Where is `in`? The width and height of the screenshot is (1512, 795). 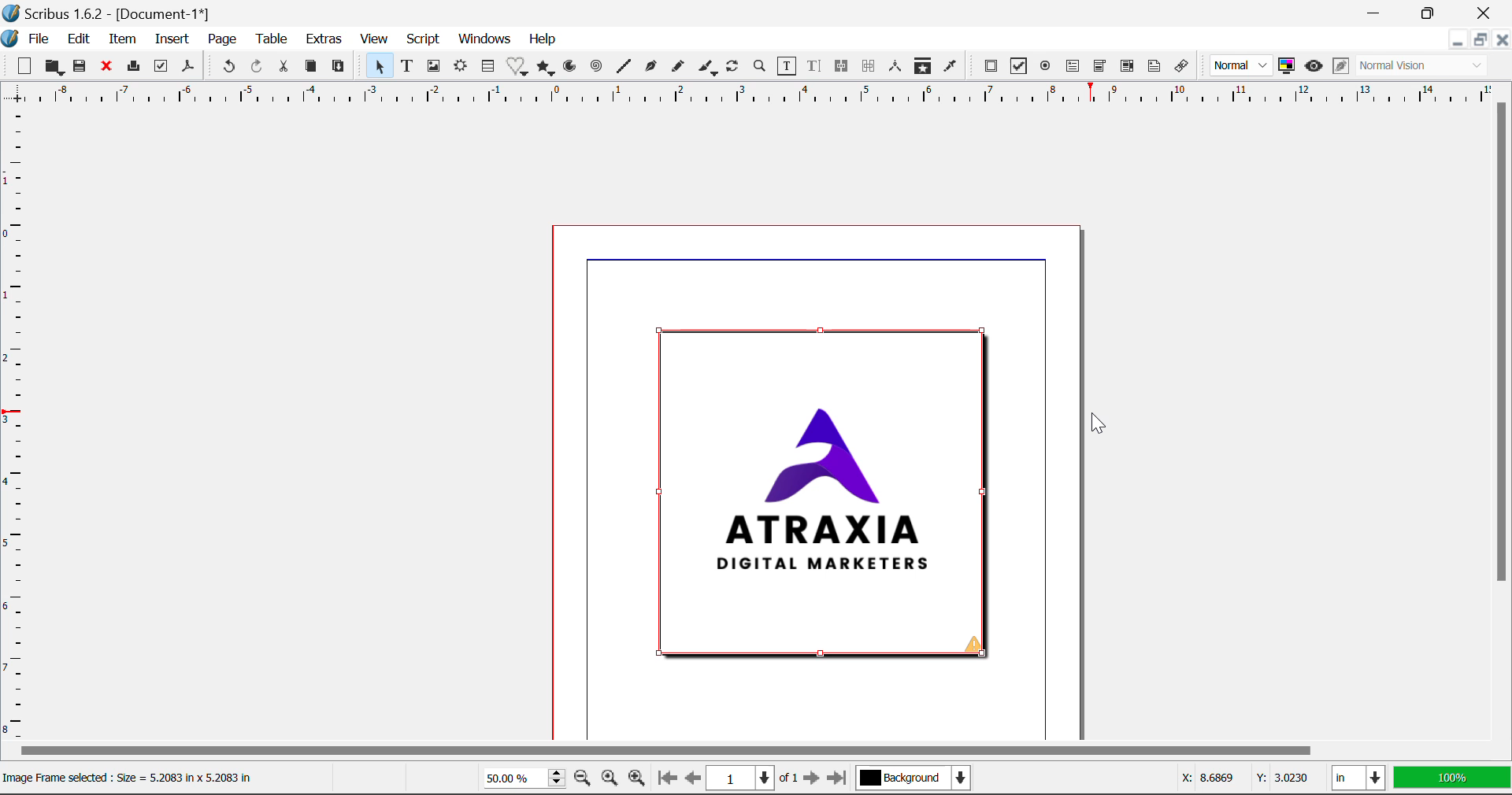 in is located at coordinates (1358, 778).